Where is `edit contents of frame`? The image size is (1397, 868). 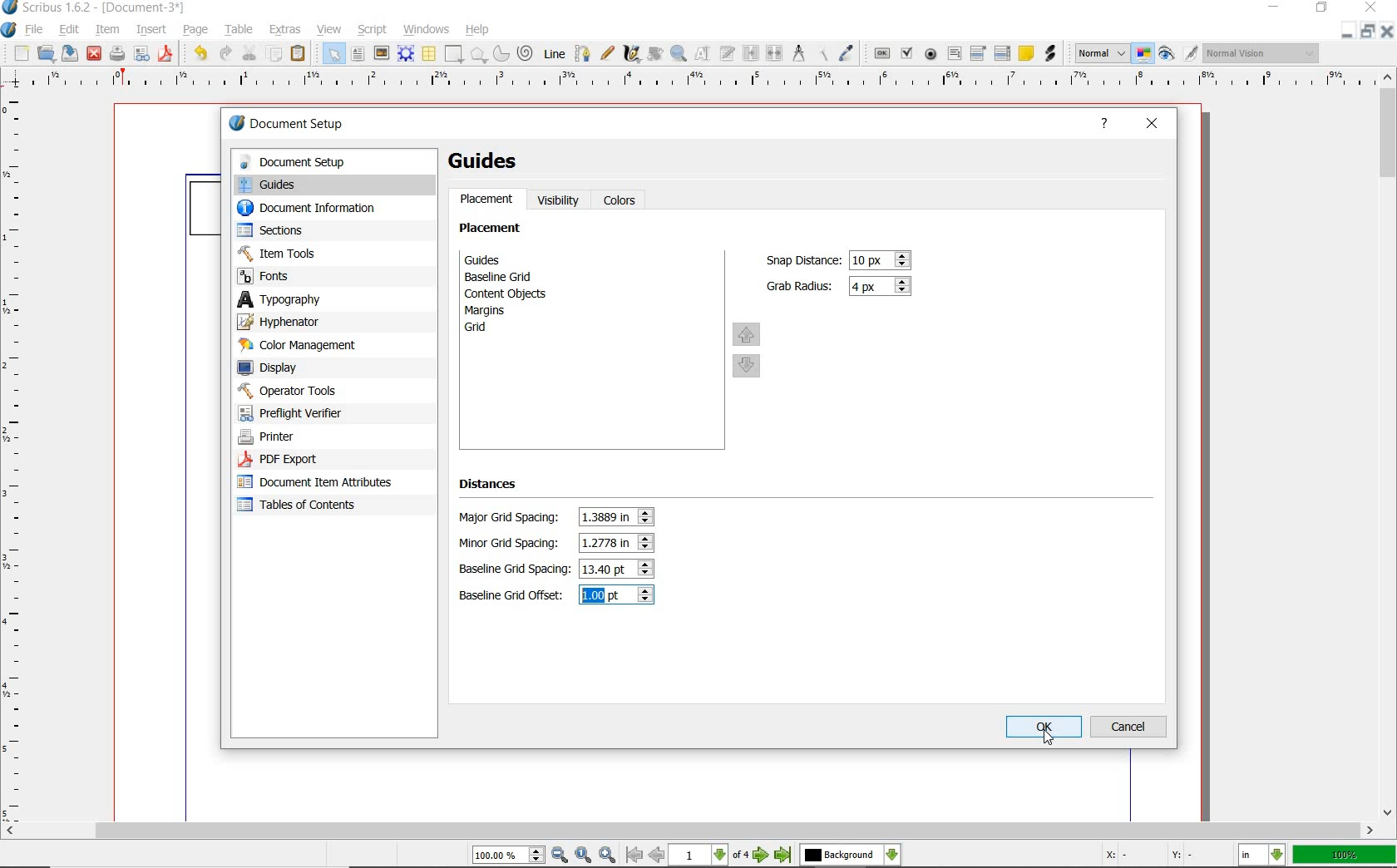 edit contents of frame is located at coordinates (703, 53).